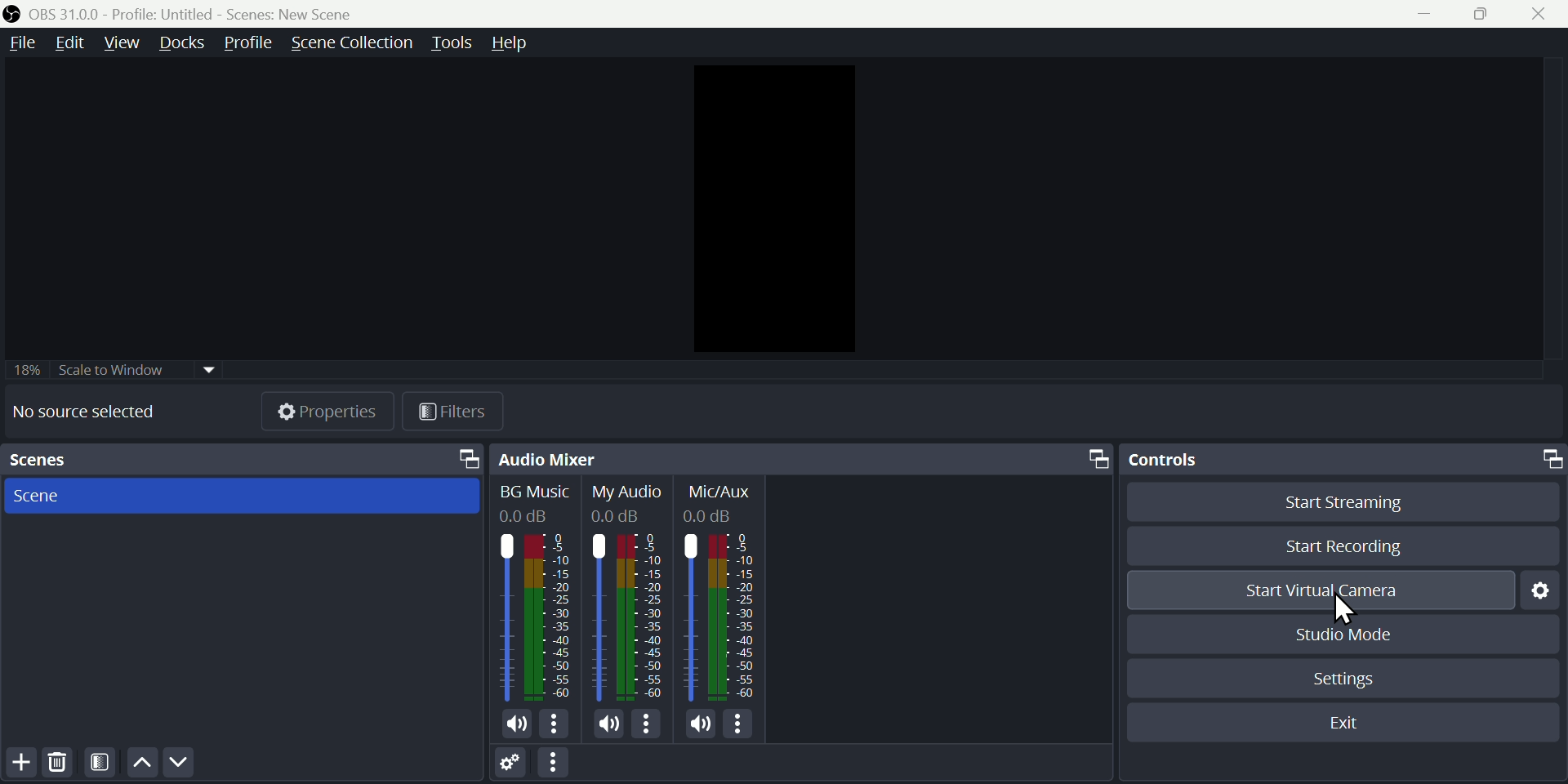  I want to click on Filter, so click(100, 764).